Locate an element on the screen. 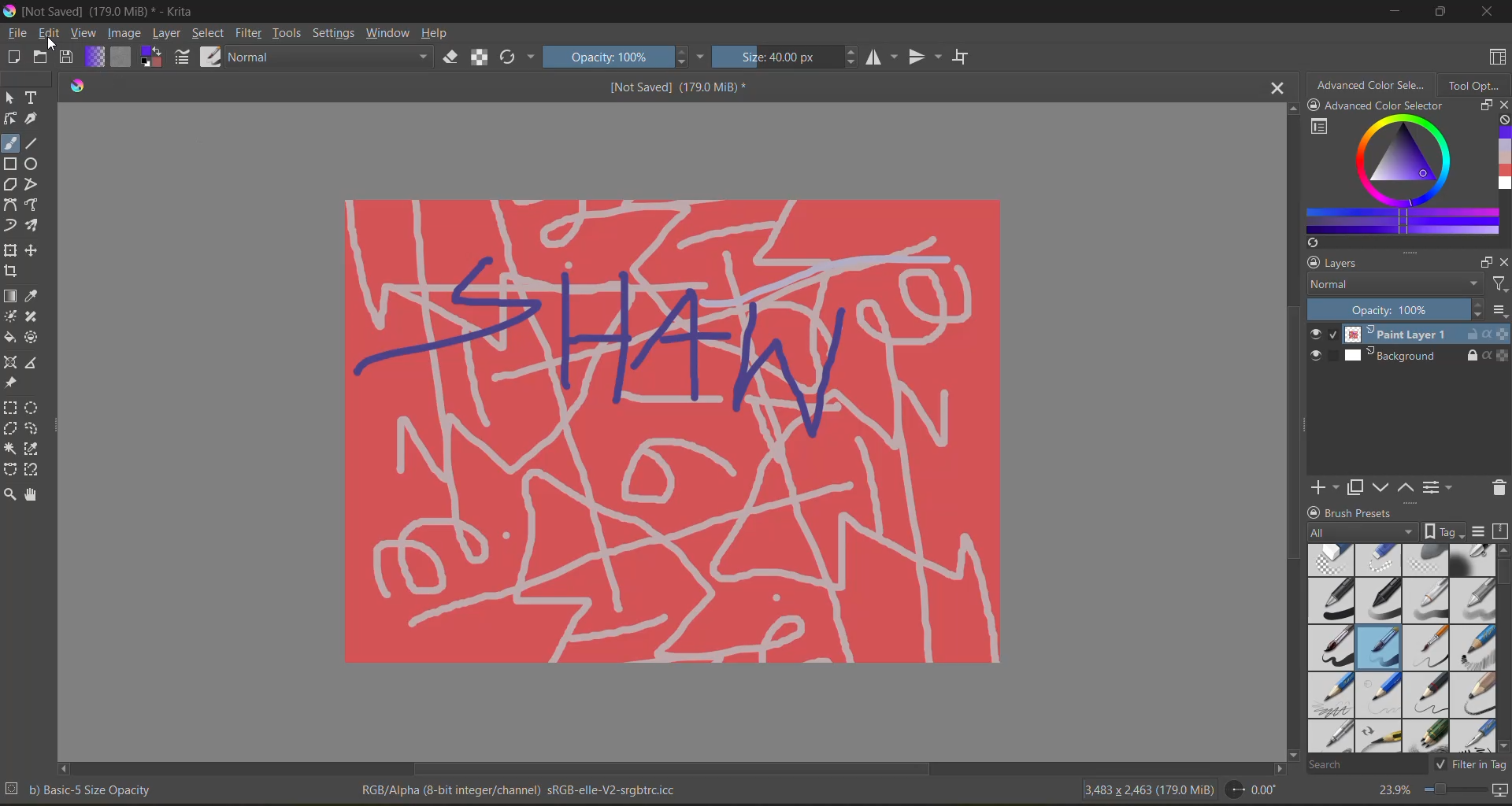  brush presets is located at coordinates (1403, 649).